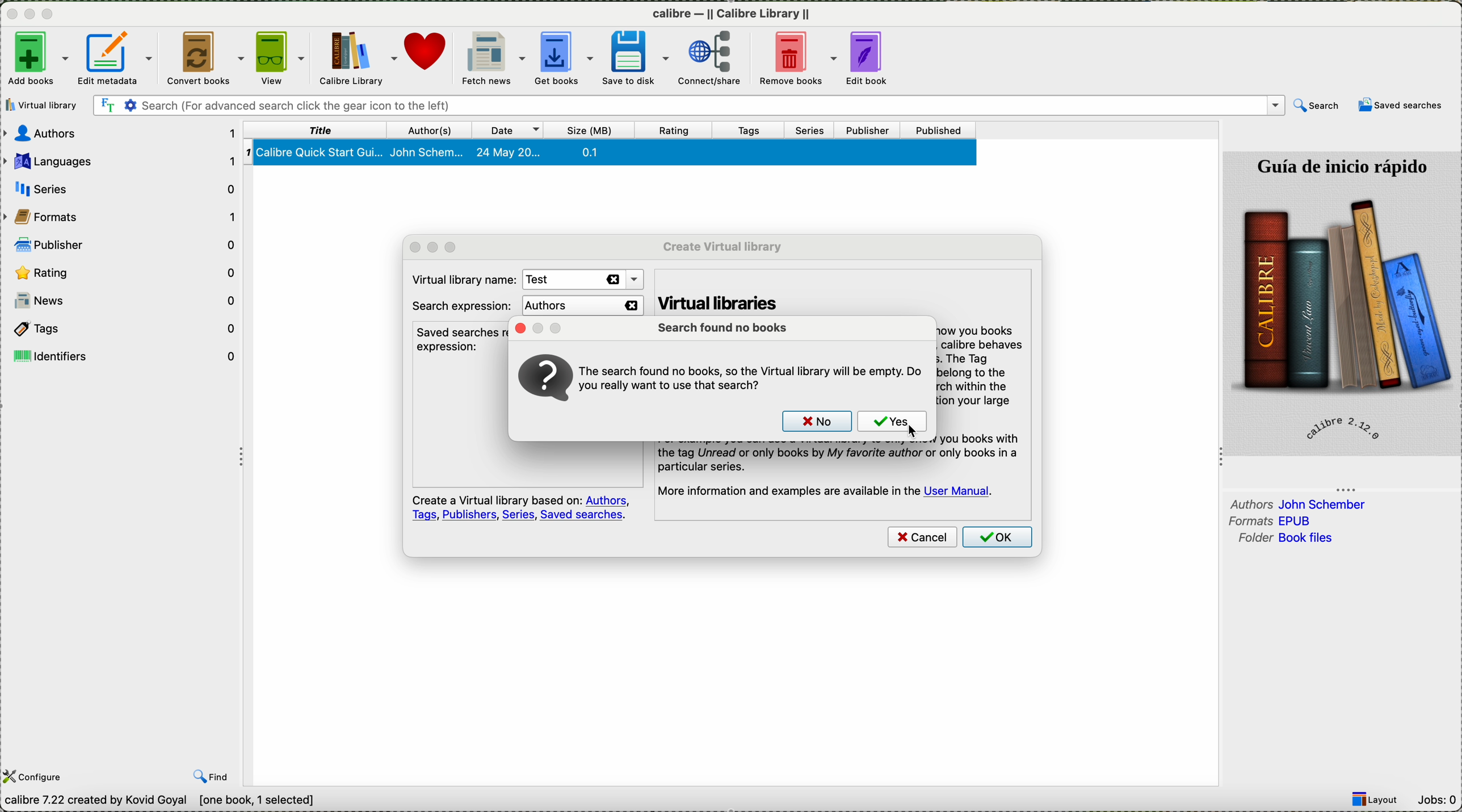 The image size is (1462, 812). What do you see at coordinates (1299, 503) in the screenshot?
I see `authors` at bounding box center [1299, 503].